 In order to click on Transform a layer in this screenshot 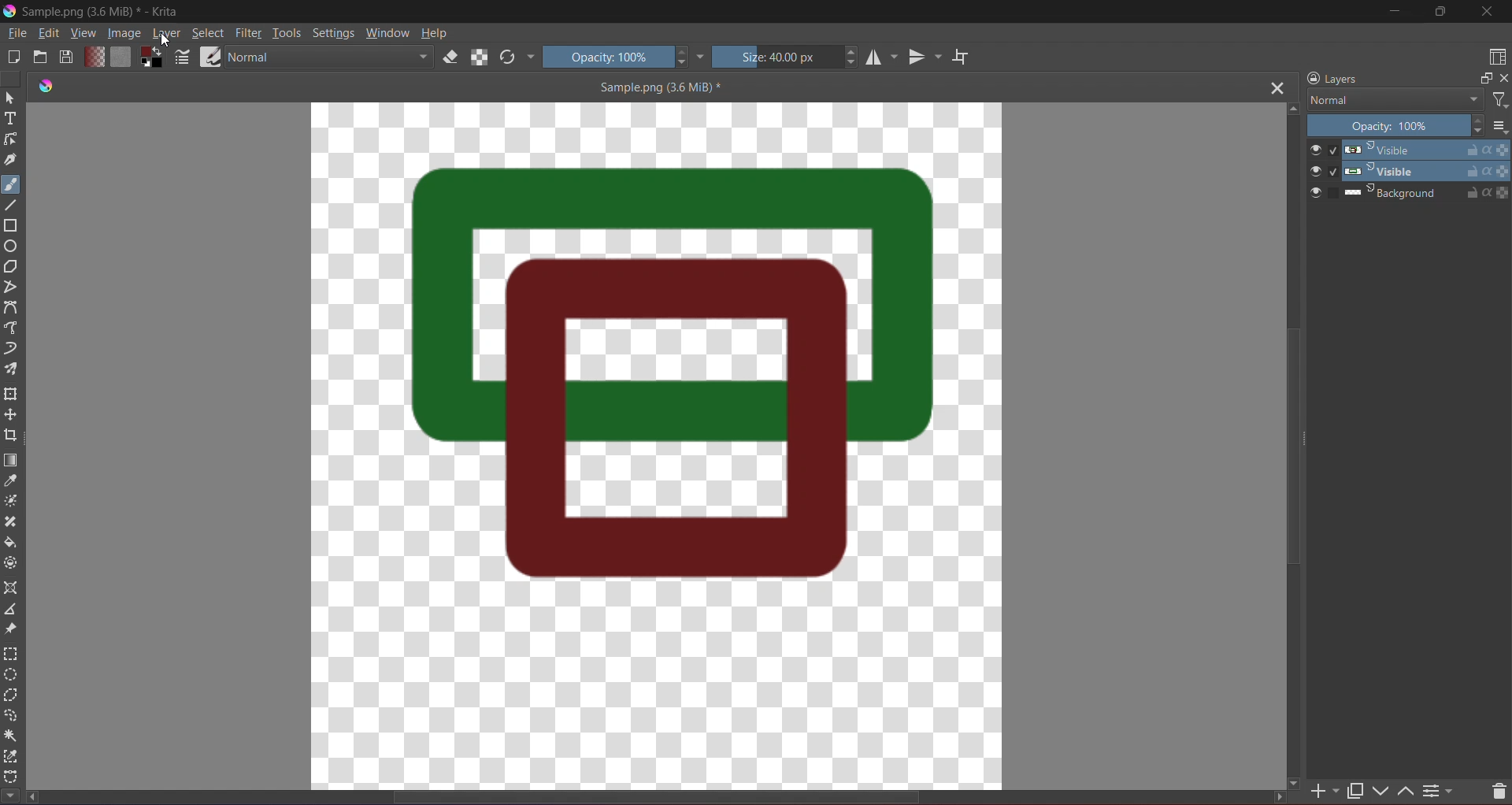, I will do `click(12, 395)`.